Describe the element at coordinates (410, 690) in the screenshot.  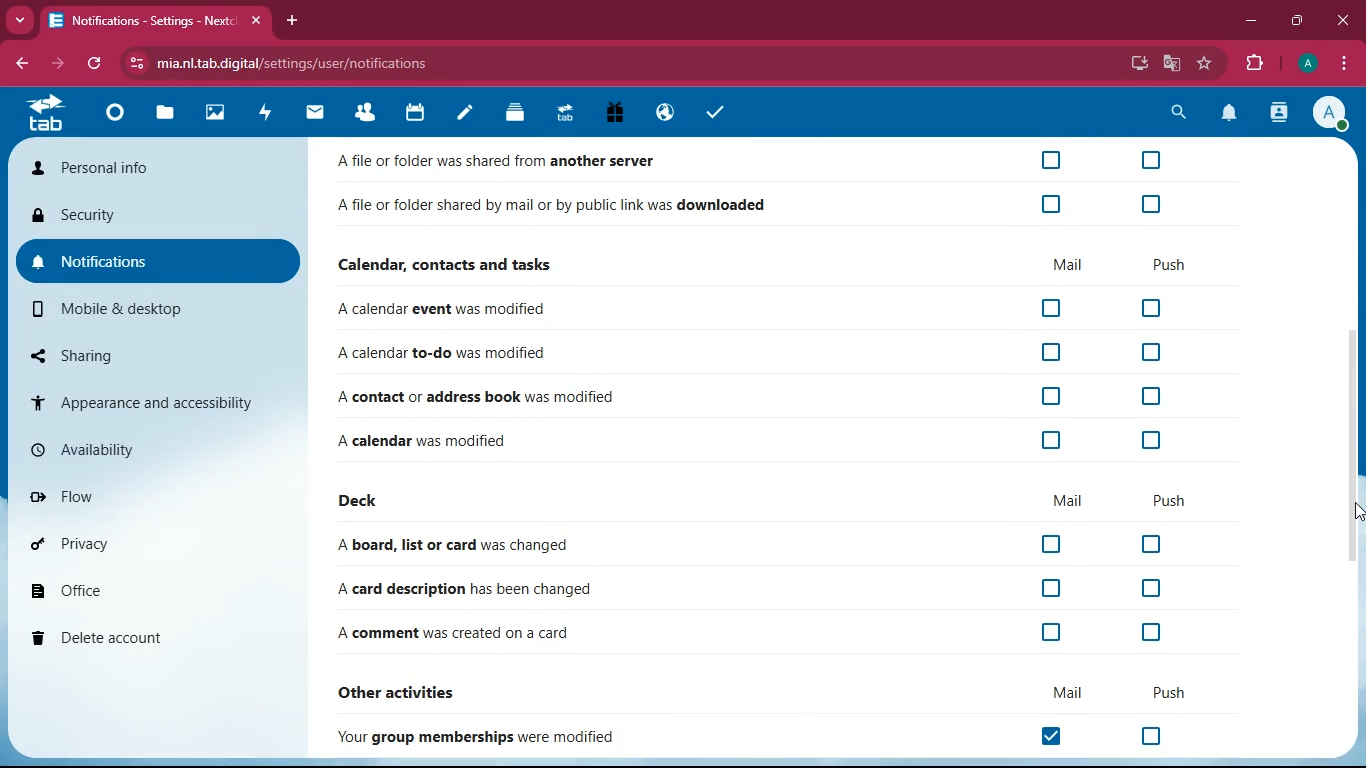
I see `other activities` at that location.